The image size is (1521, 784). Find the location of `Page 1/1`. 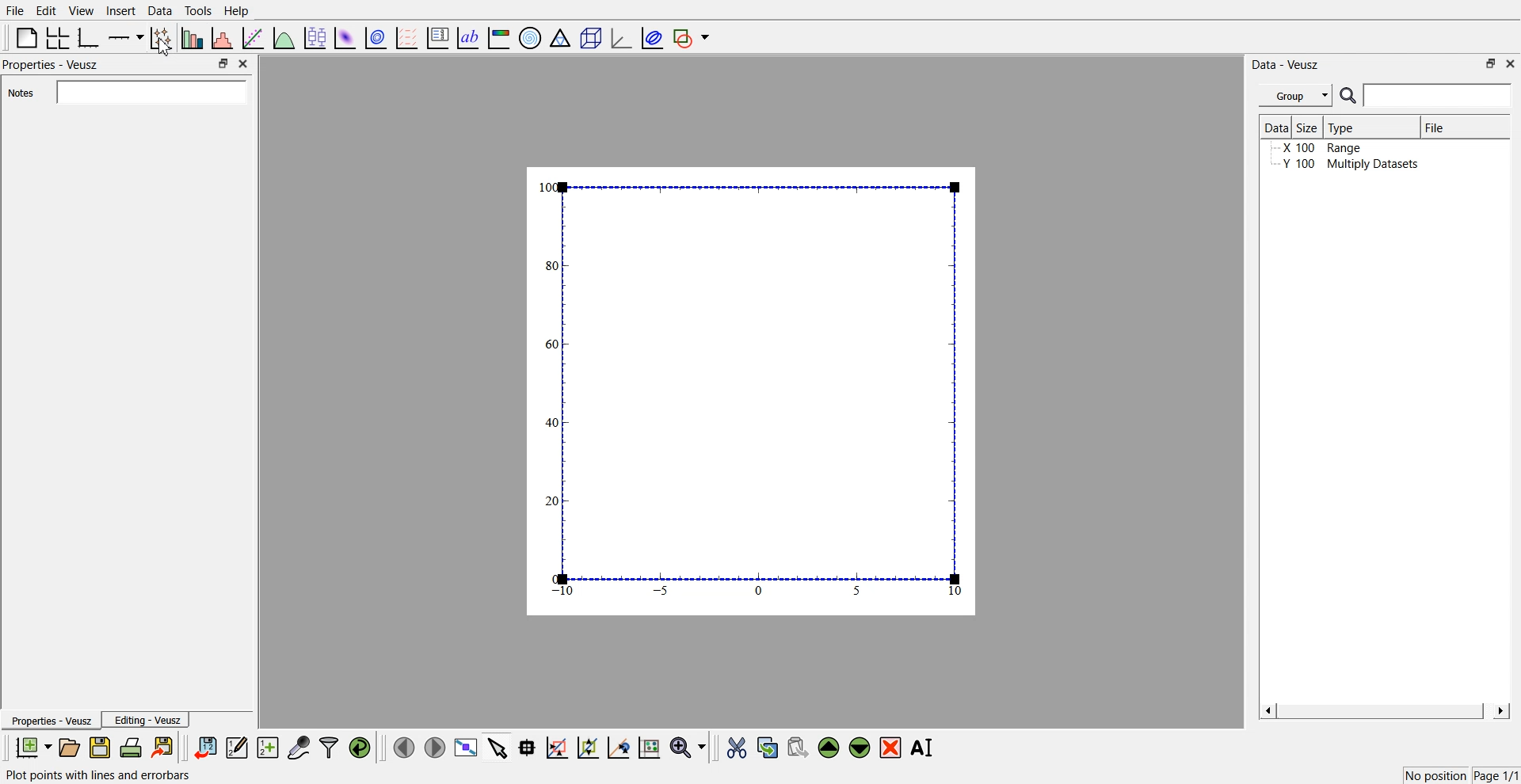

Page 1/1 is located at coordinates (1497, 776).